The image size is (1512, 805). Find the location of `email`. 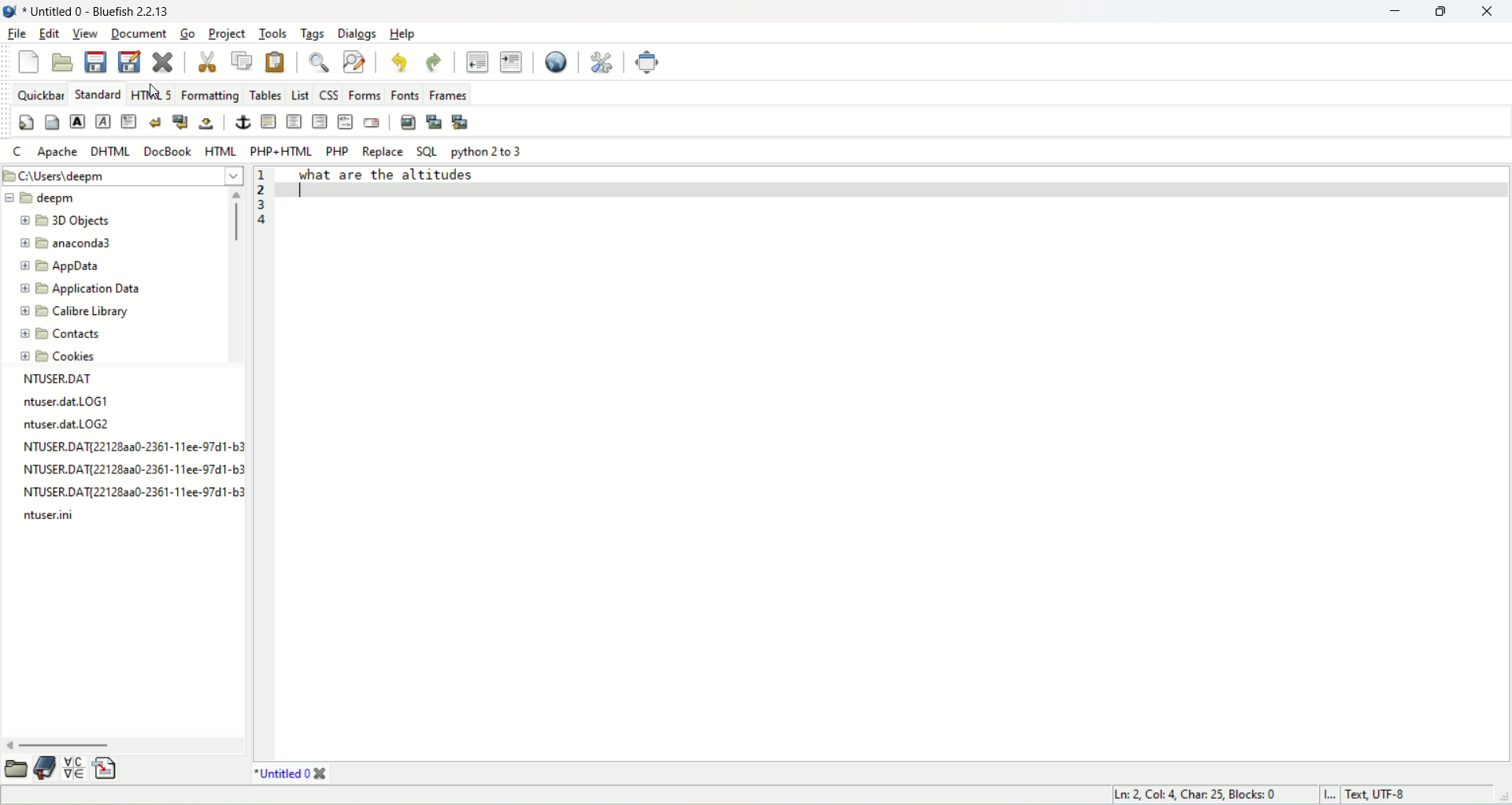

email is located at coordinates (372, 125).